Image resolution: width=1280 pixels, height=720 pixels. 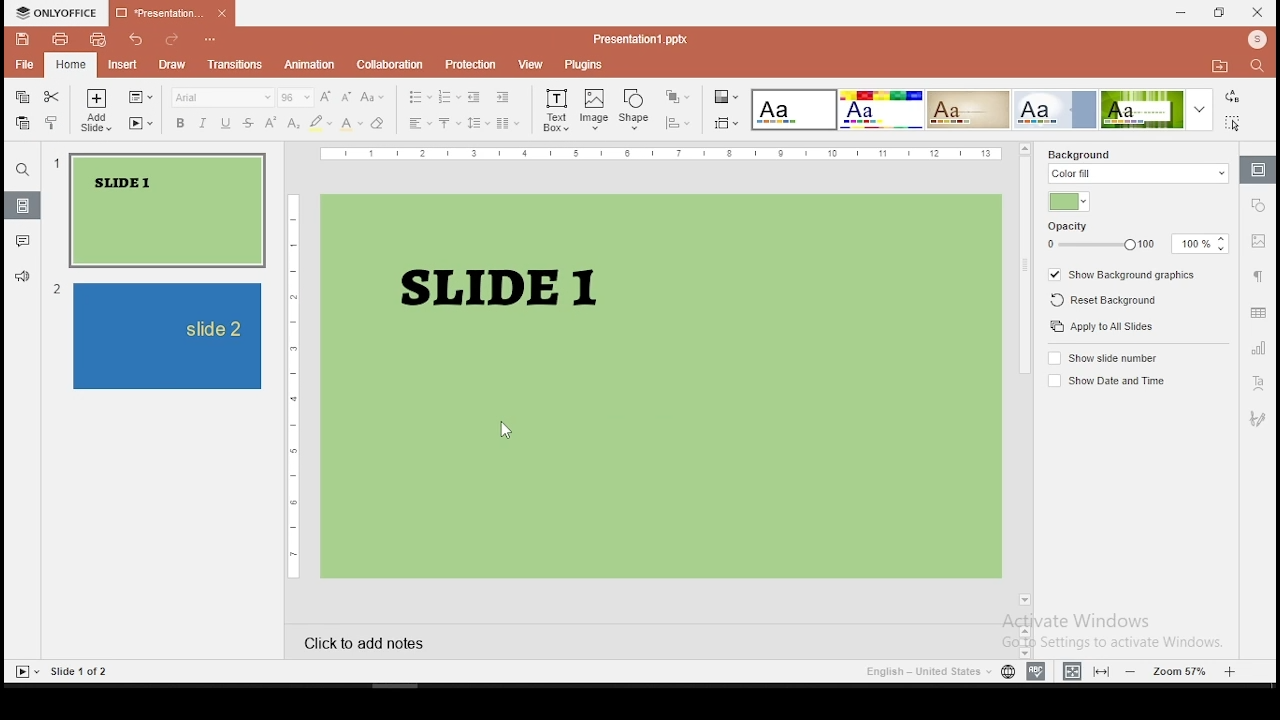 What do you see at coordinates (594, 109) in the screenshot?
I see `image` at bounding box center [594, 109].